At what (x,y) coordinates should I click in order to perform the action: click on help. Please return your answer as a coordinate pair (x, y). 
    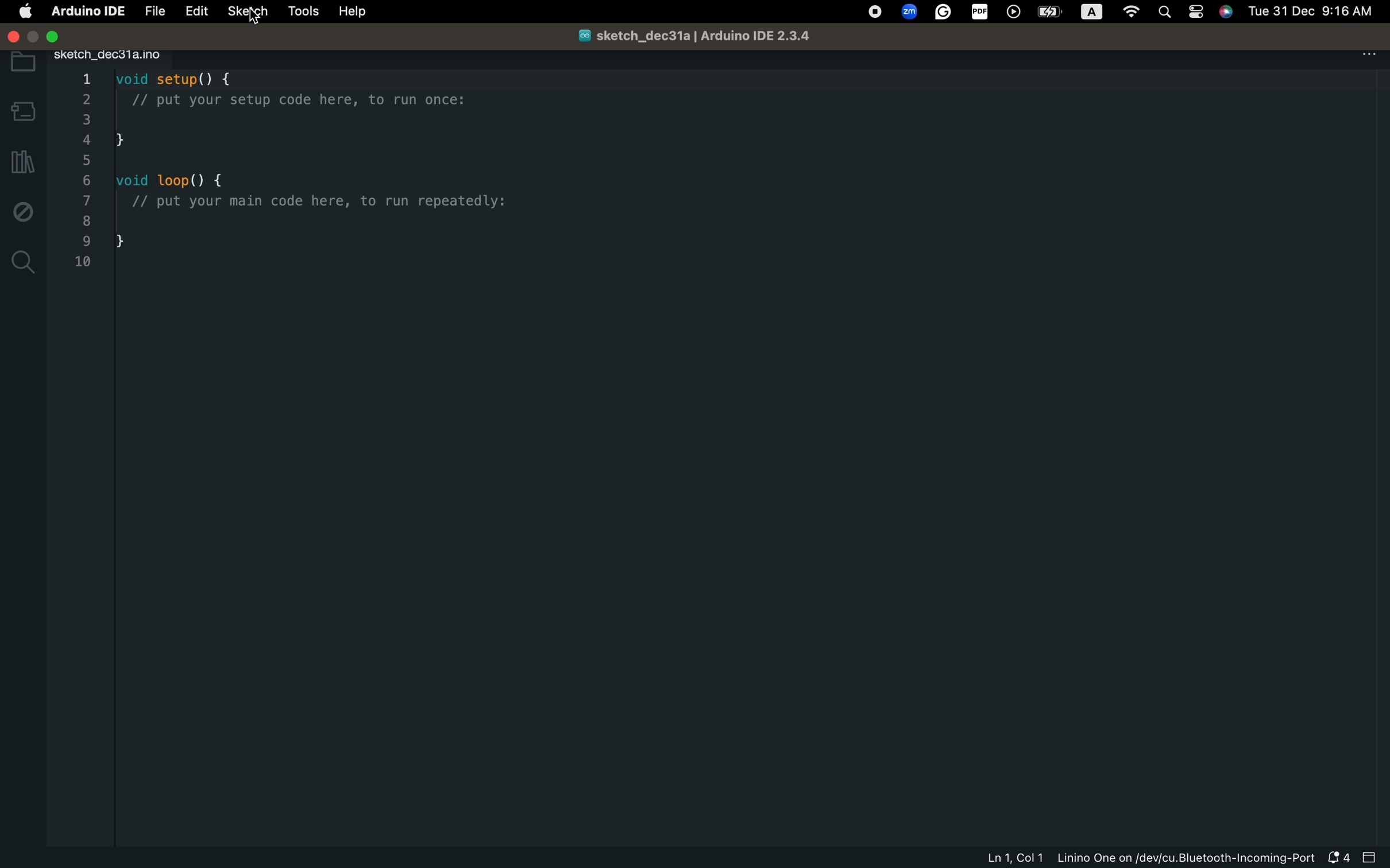
    Looking at the image, I should click on (361, 13).